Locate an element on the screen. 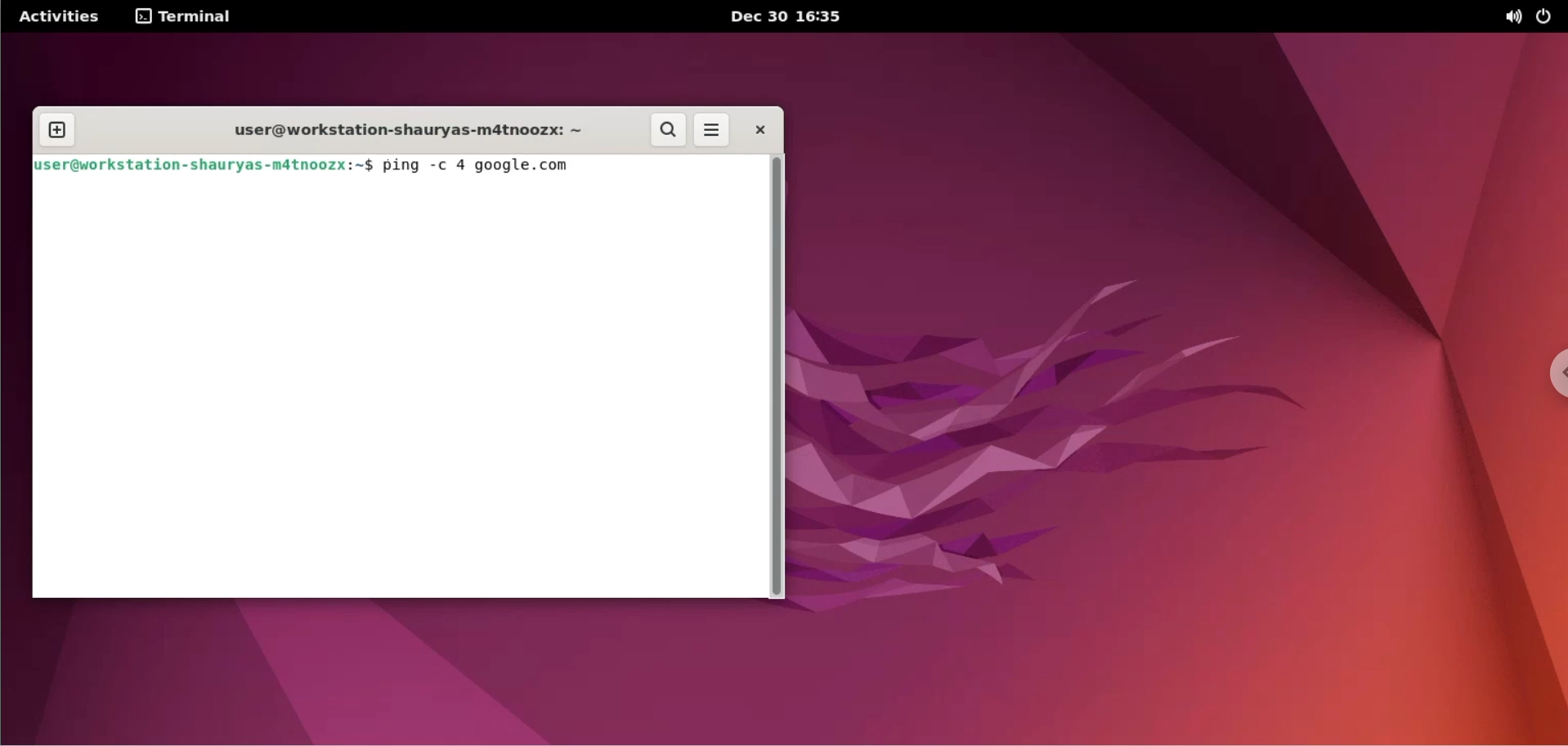 The height and width of the screenshot is (746, 1568). ping -c 4 google.com is located at coordinates (478, 168).